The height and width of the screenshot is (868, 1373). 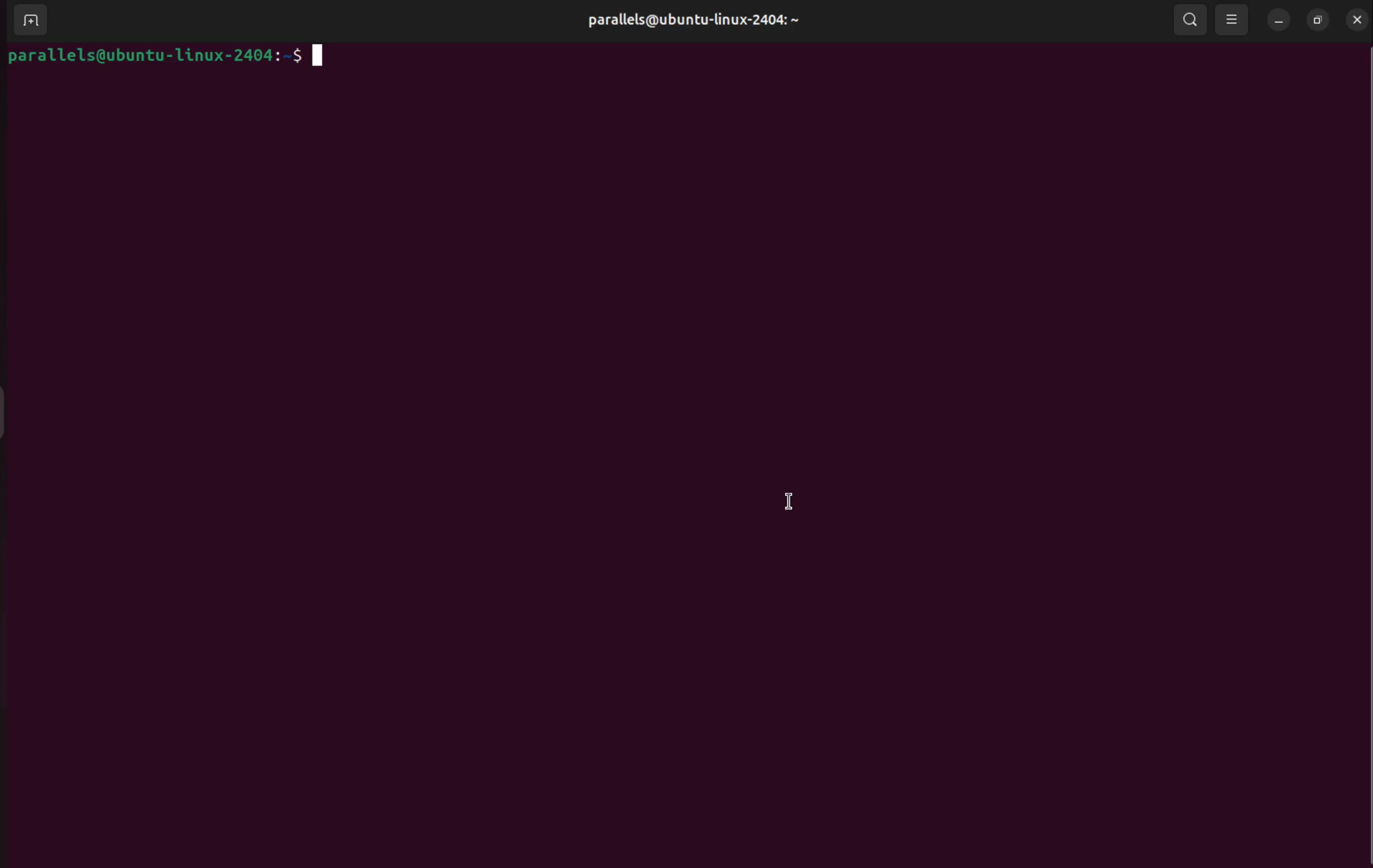 What do you see at coordinates (796, 499) in the screenshot?
I see `cursor` at bounding box center [796, 499].